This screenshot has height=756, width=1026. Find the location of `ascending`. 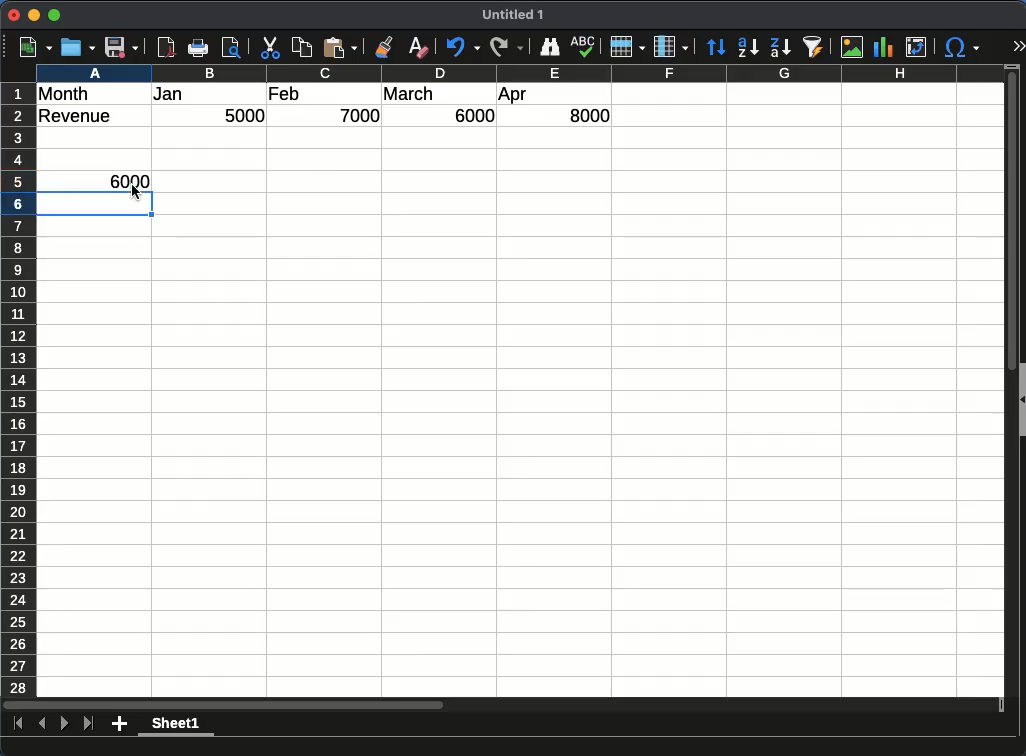

ascending is located at coordinates (746, 48).